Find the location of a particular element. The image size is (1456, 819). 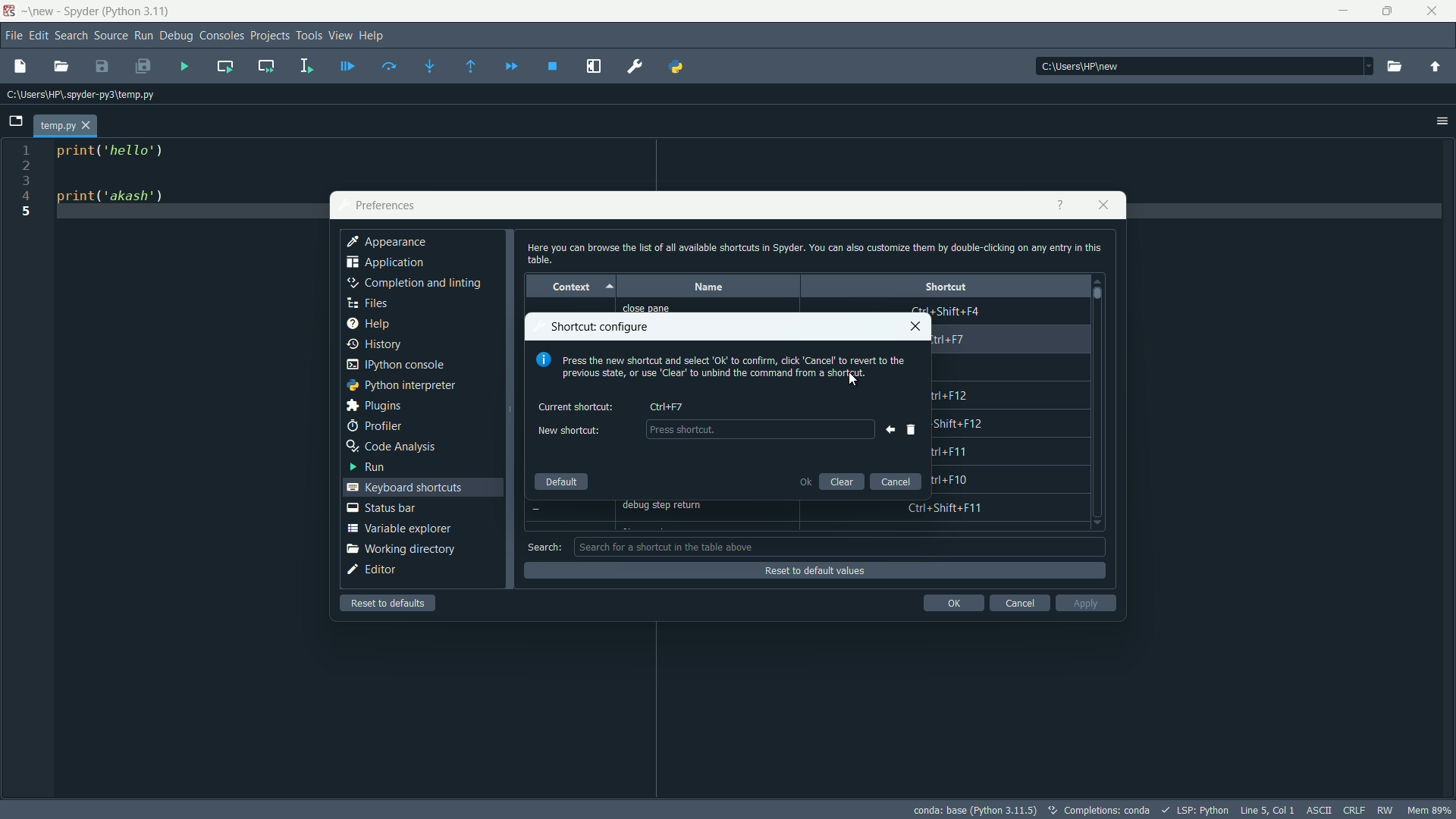

cancel is located at coordinates (896, 482).